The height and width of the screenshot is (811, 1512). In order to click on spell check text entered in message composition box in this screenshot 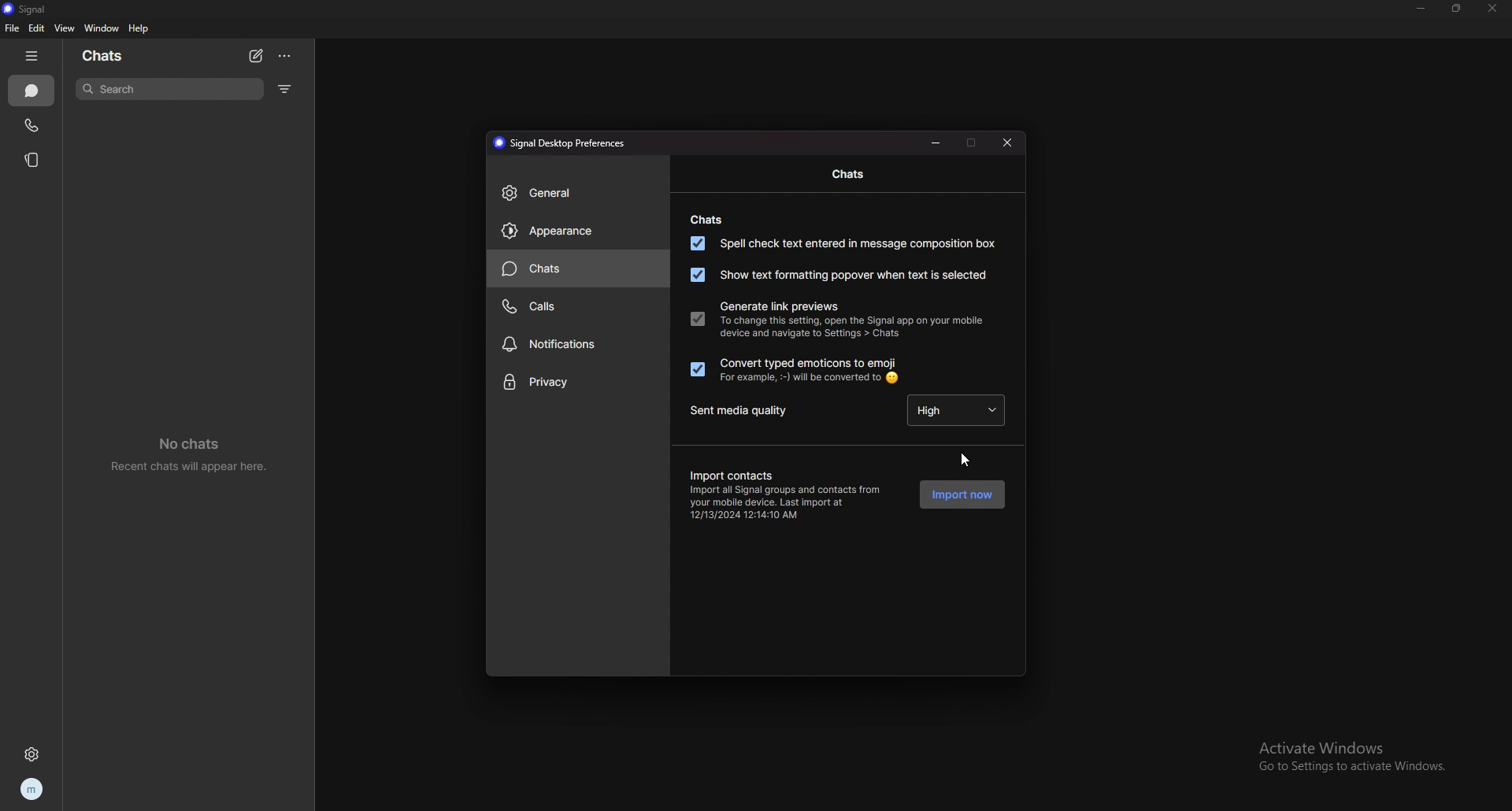, I will do `click(842, 243)`.